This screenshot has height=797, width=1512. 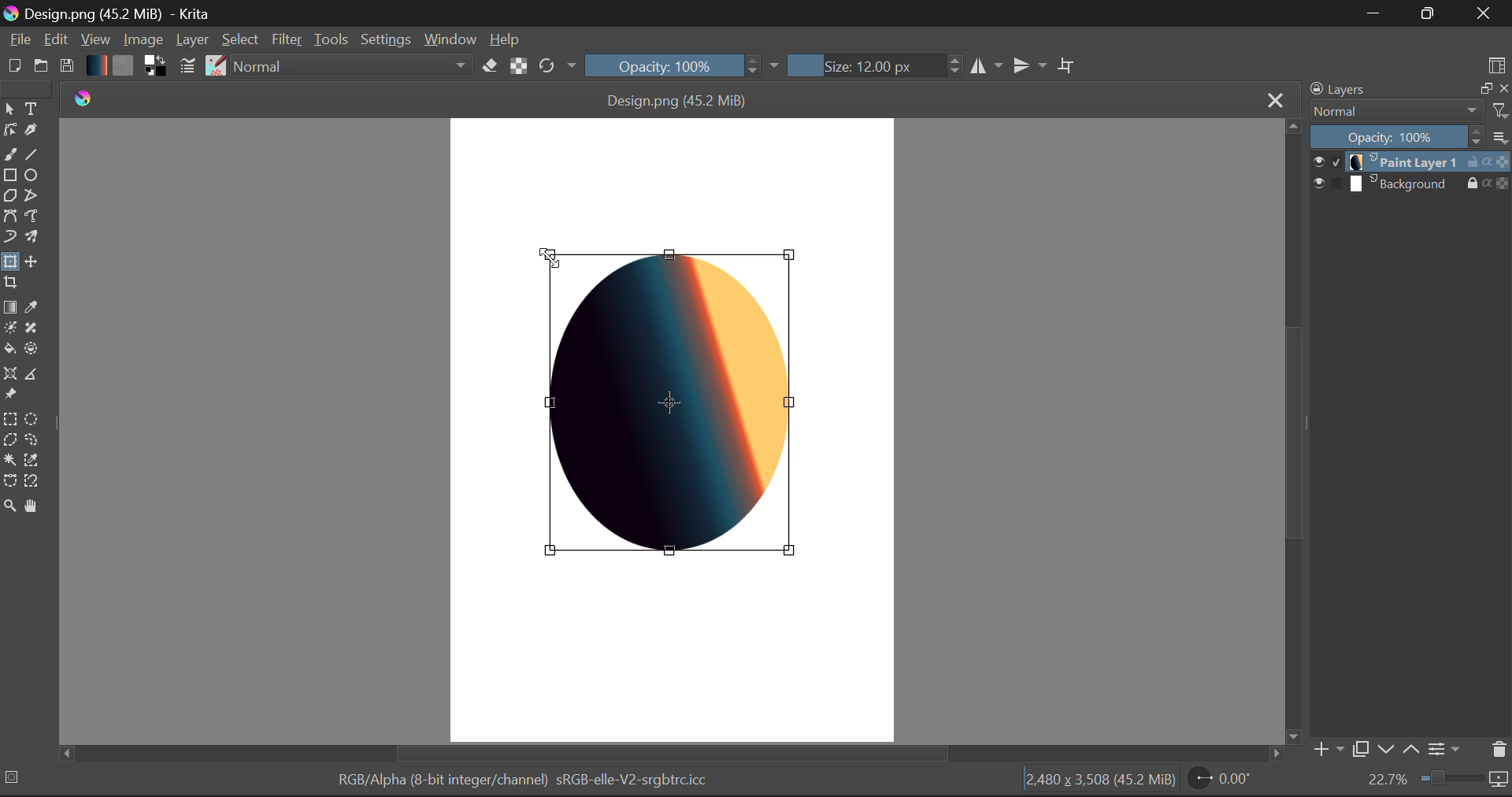 I want to click on Text, so click(x=32, y=109).